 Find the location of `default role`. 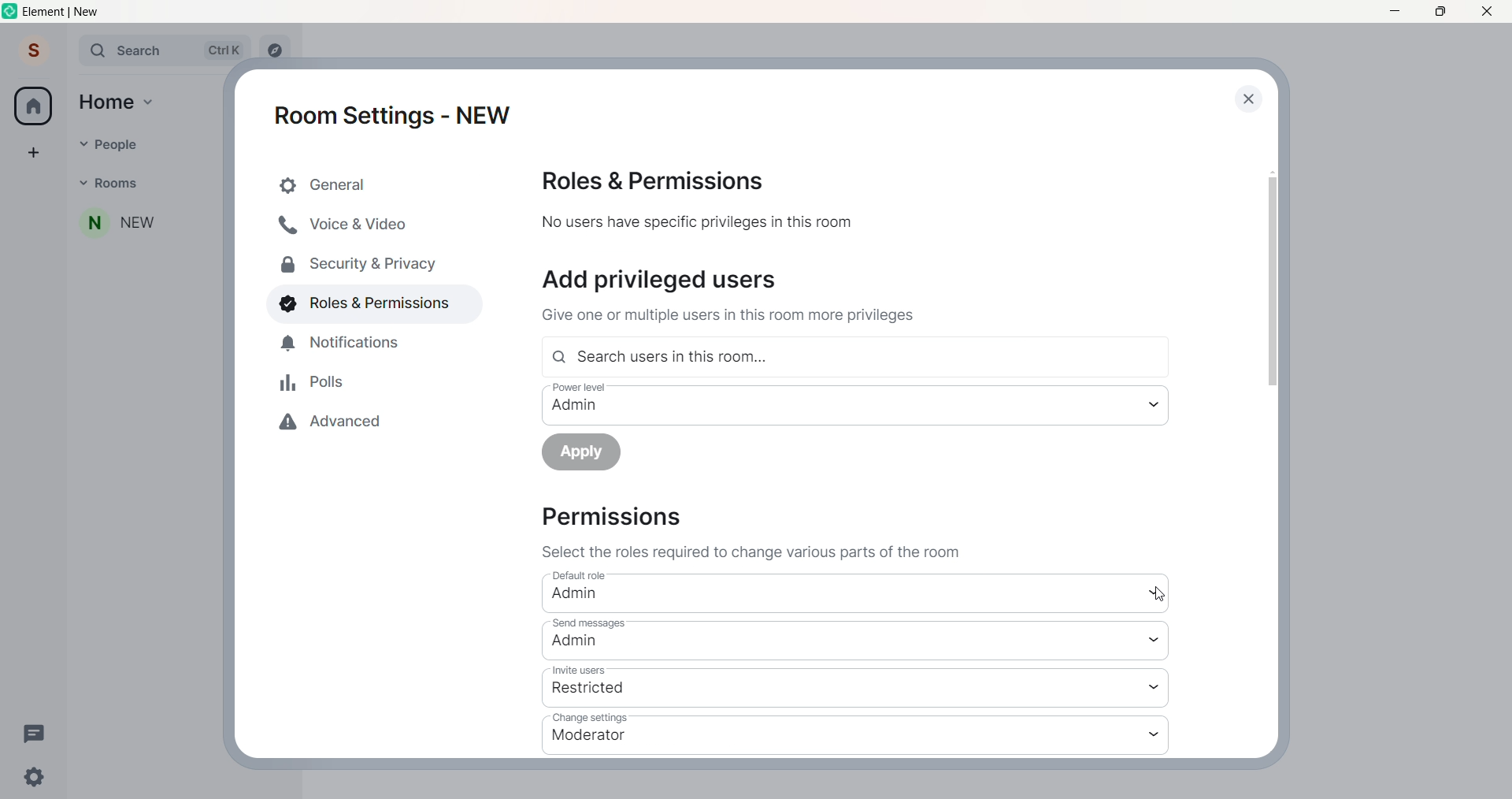

default role is located at coordinates (834, 590).